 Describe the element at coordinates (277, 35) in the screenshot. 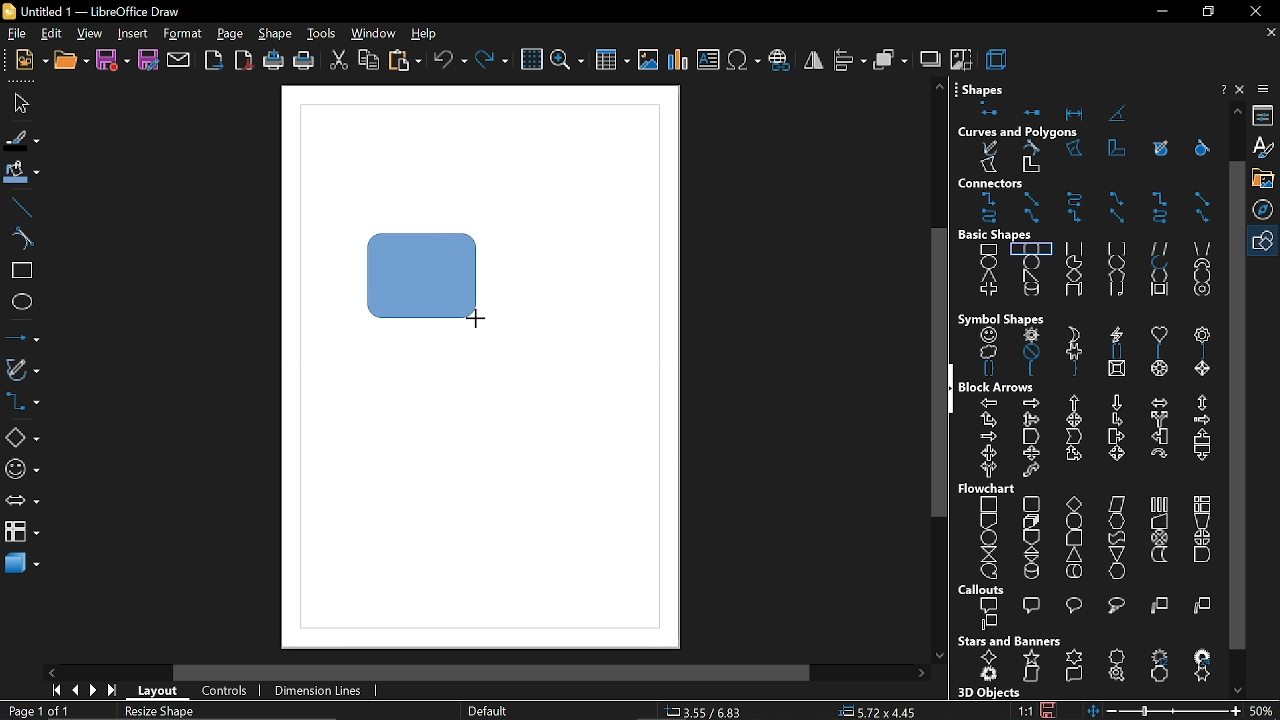

I see `shape` at that location.